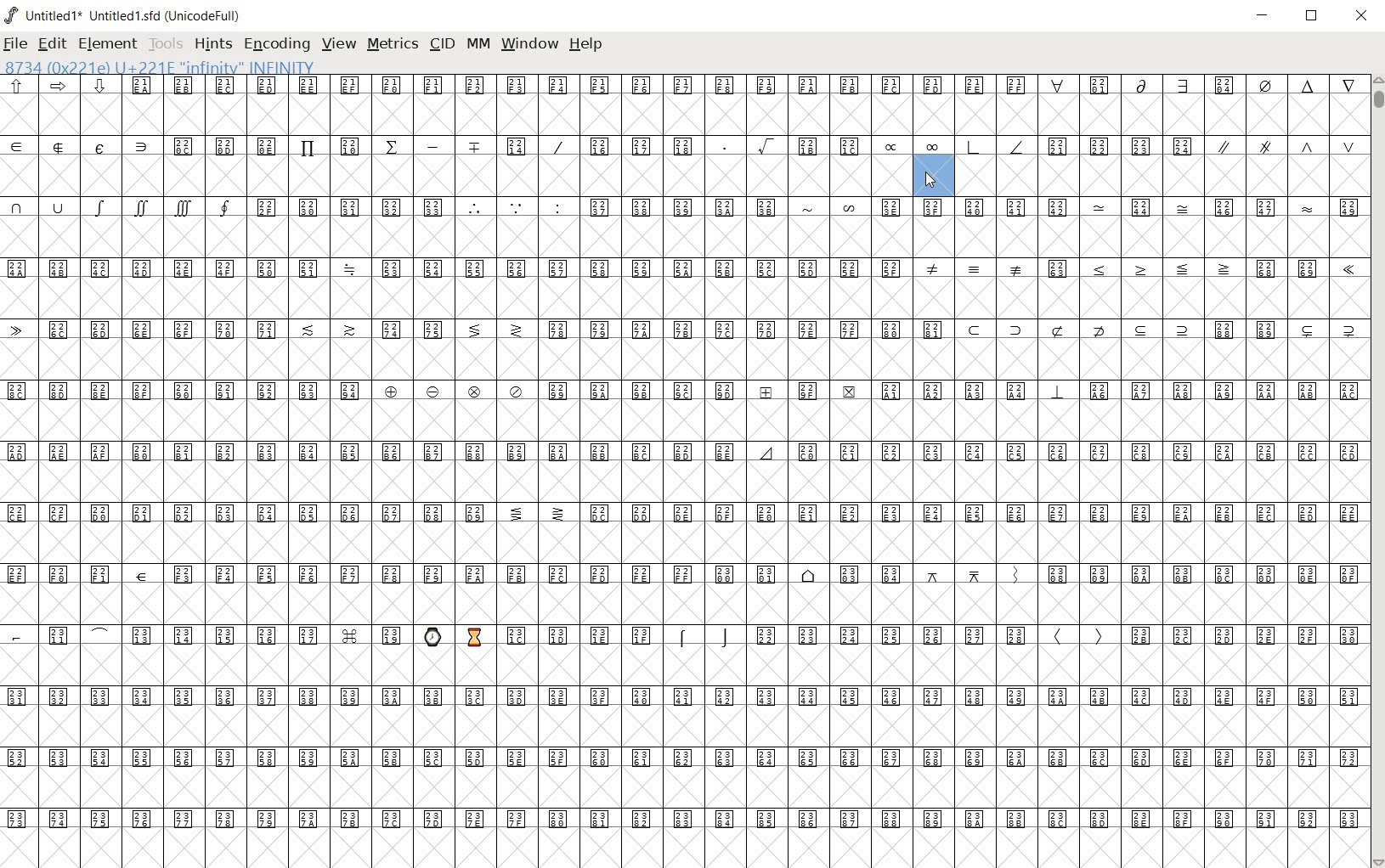 The image size is (1385, 868). What do you see at coordinates (455, 268) in the screenshot?
I see `Unicode code points` at bounding box center [455, 268].